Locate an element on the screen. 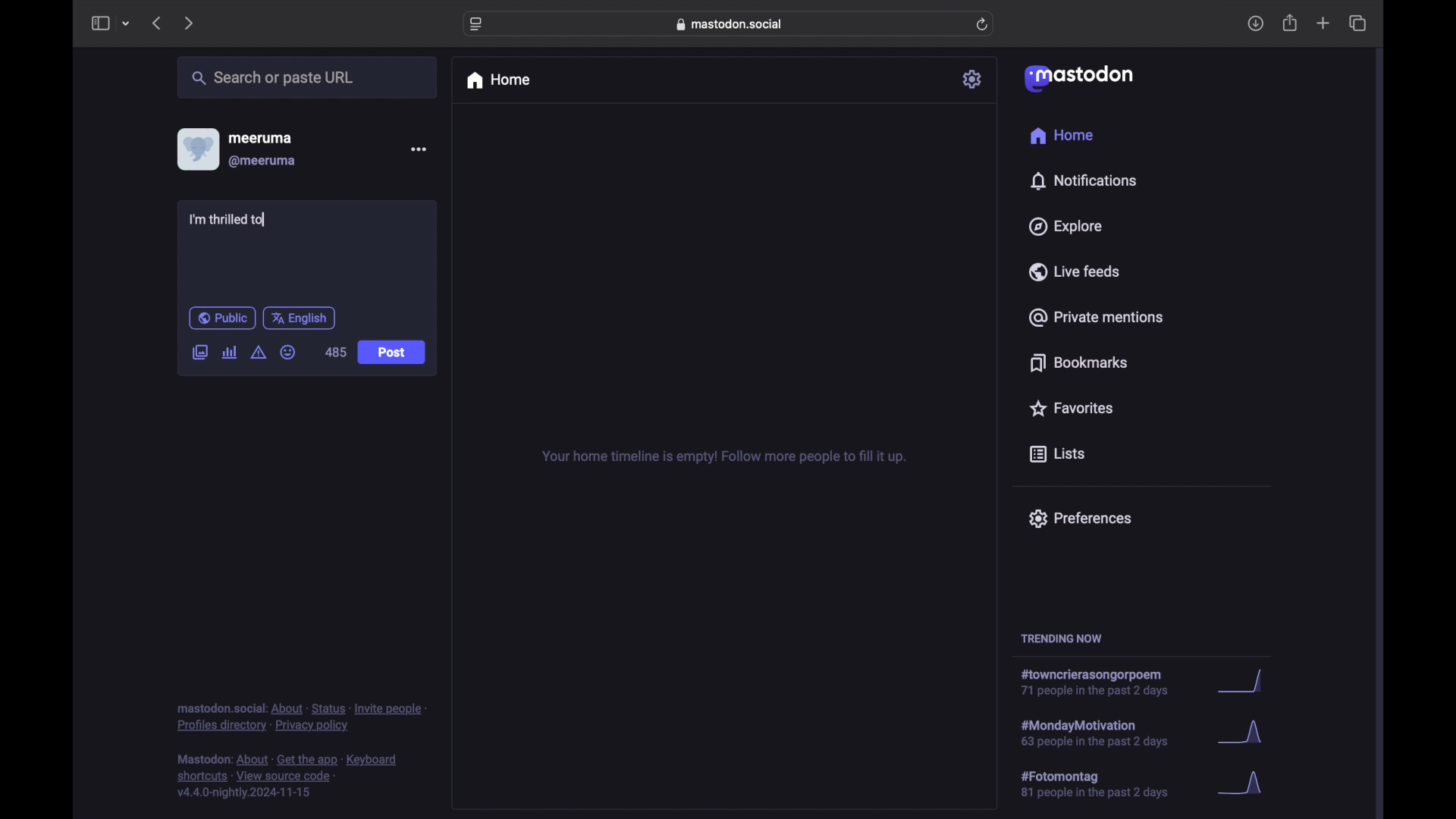  text cursor is located at coordinates (262, 220).